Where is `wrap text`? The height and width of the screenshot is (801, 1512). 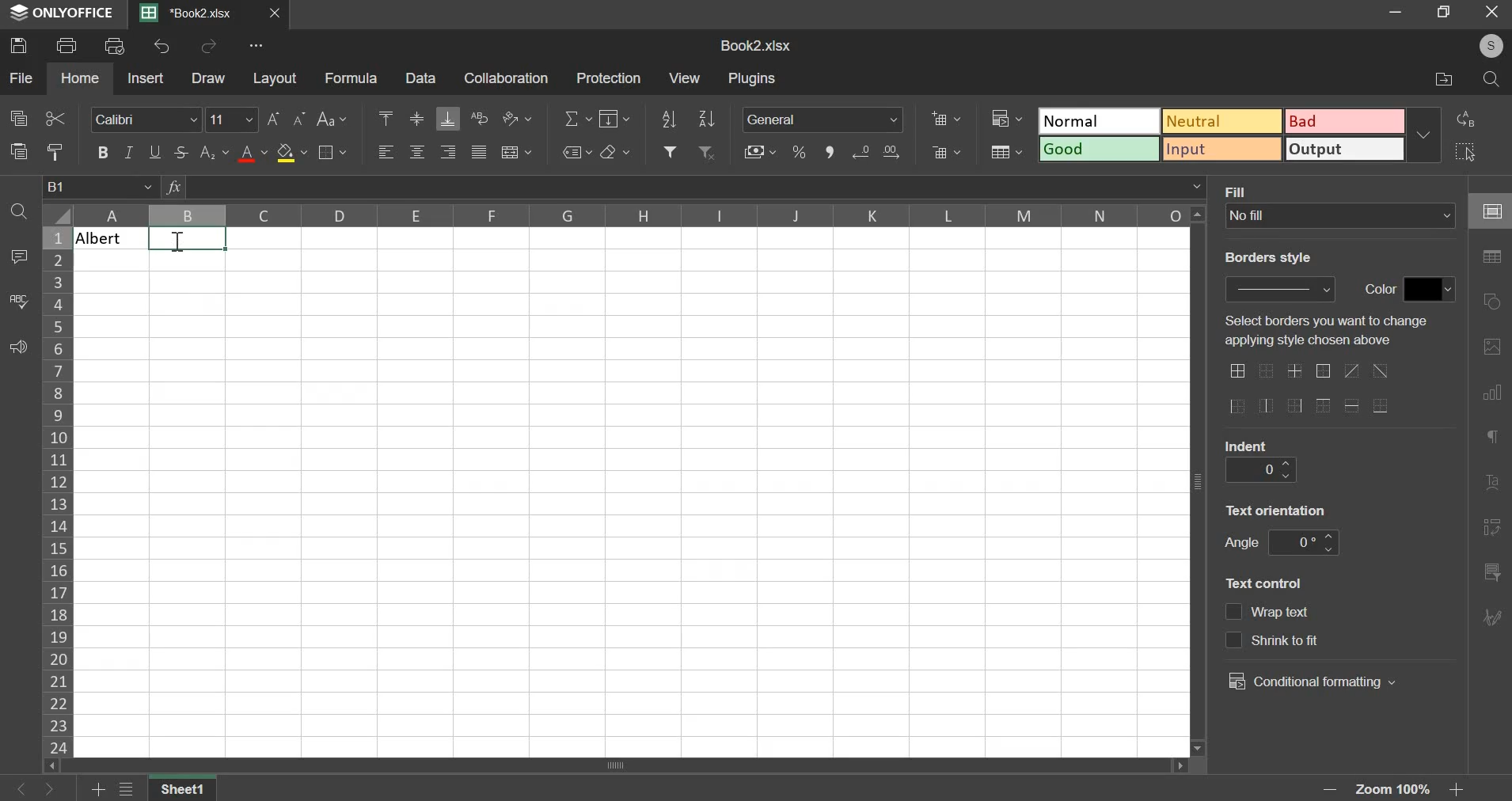
wrap text is located at coordinates (478, 118).